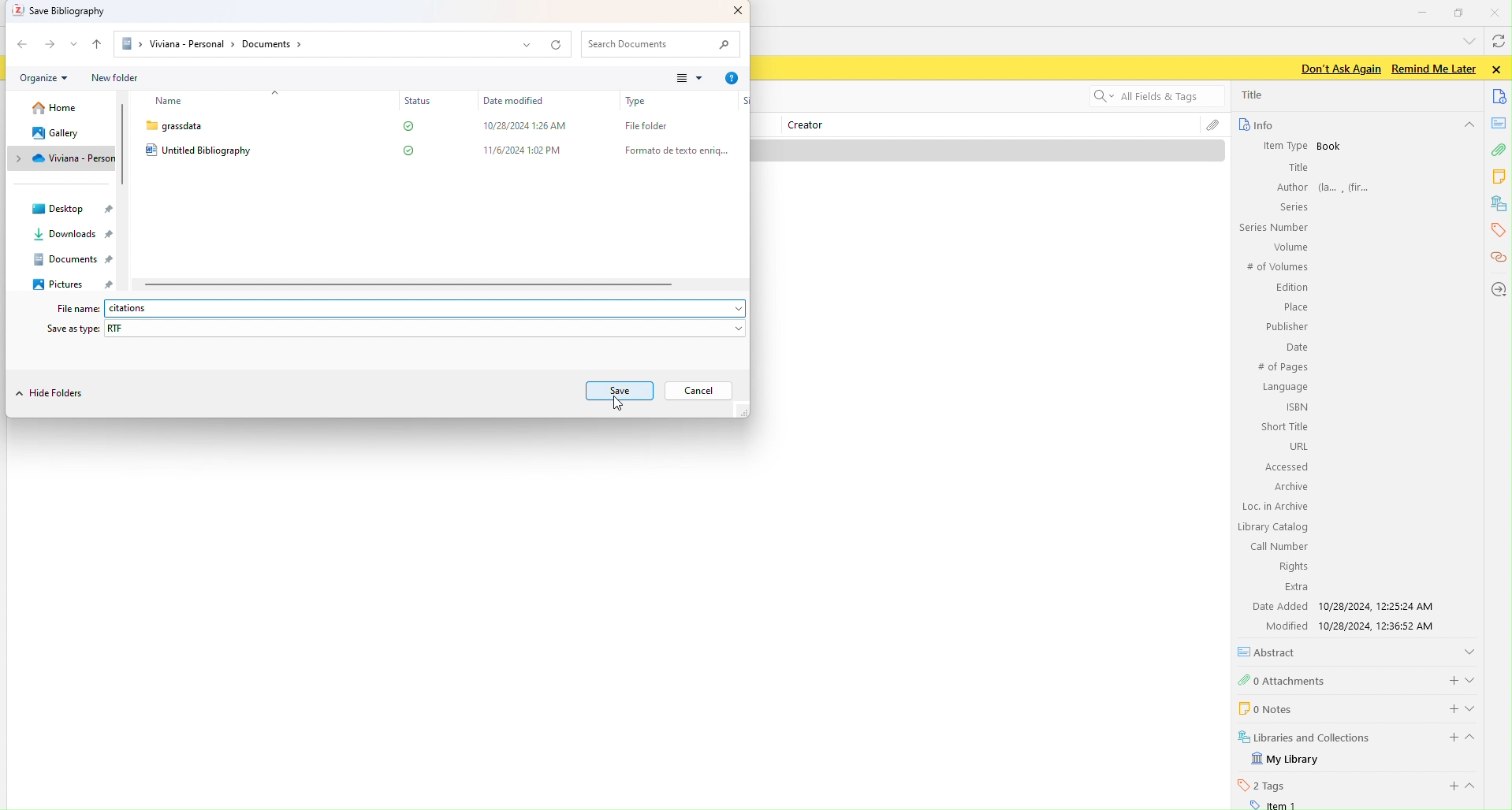 This screenshot has height=810, width=1512. What do you see at coordinates (1264, 708) in the screenshot?
I see `0 Notes` at bounding box center [1264, 708].